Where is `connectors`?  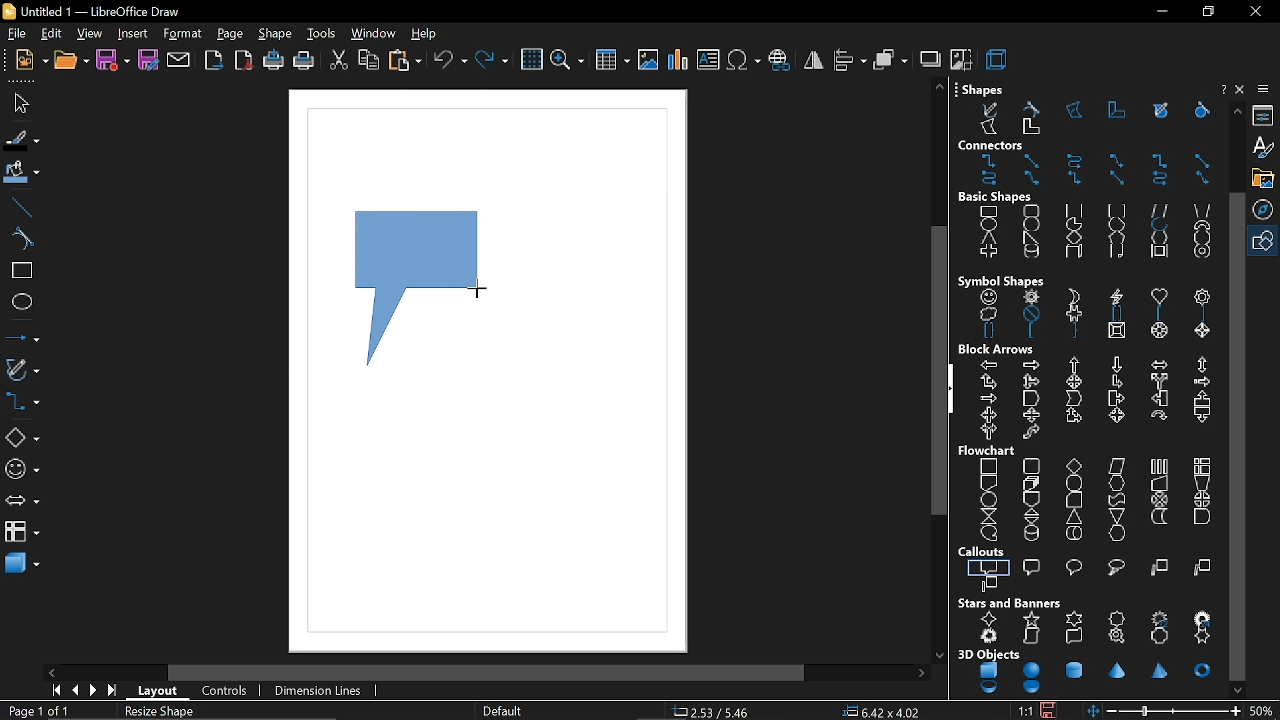
connectors is located at coordinates (21, 402).